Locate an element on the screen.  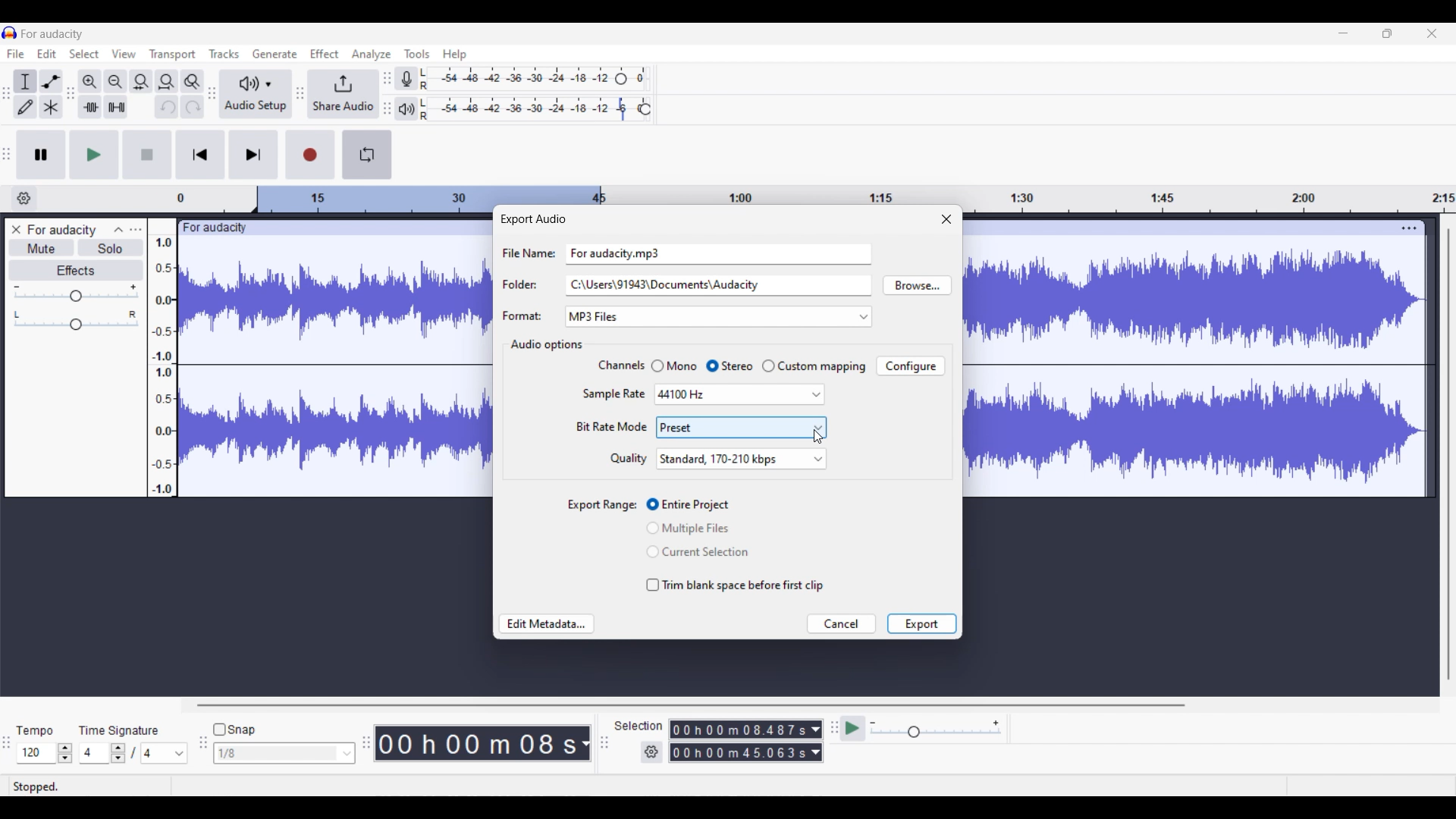
Options for Bit Rate Mode is located at coordinates (741, 427).